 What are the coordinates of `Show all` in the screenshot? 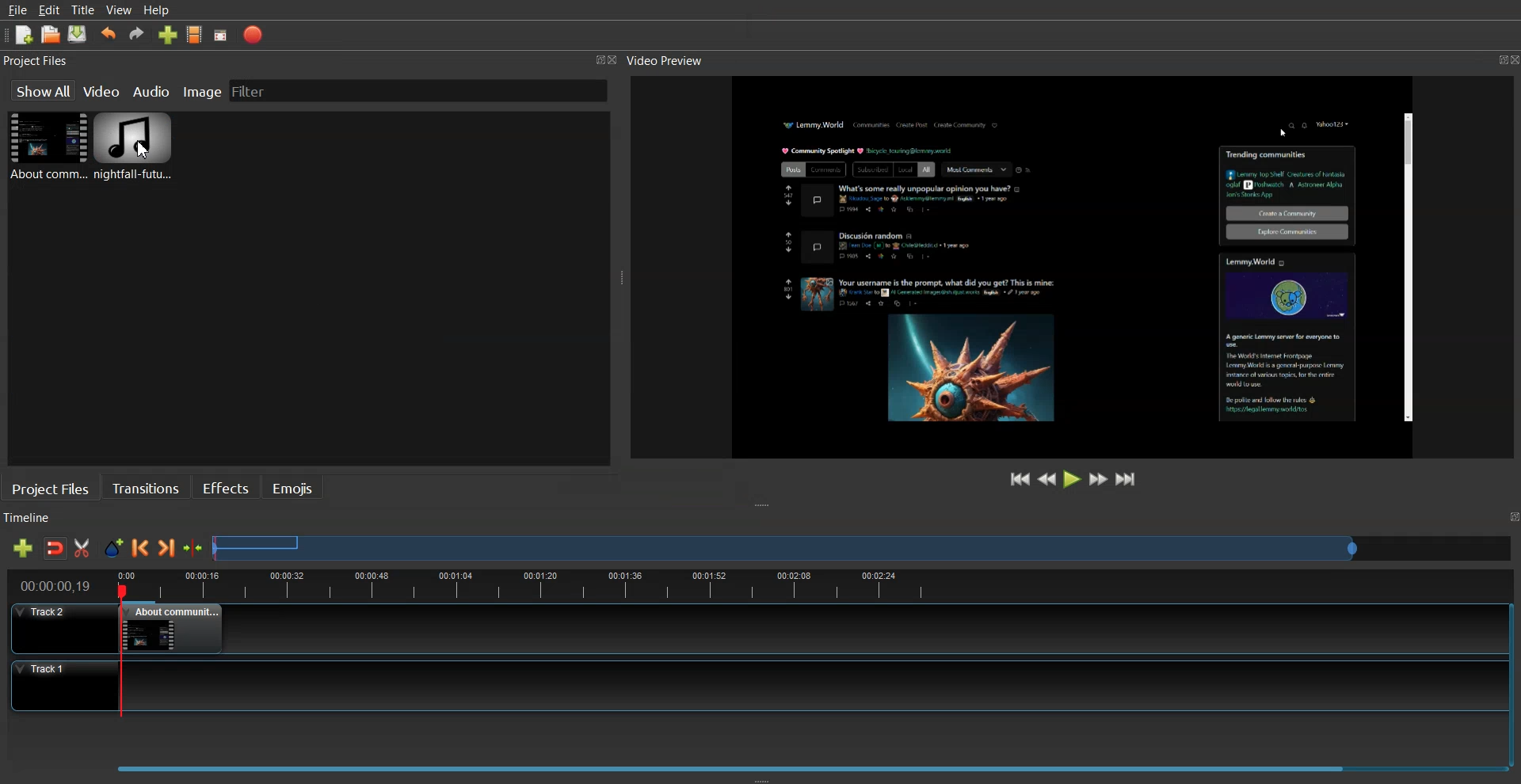 It's located at (42, 90).